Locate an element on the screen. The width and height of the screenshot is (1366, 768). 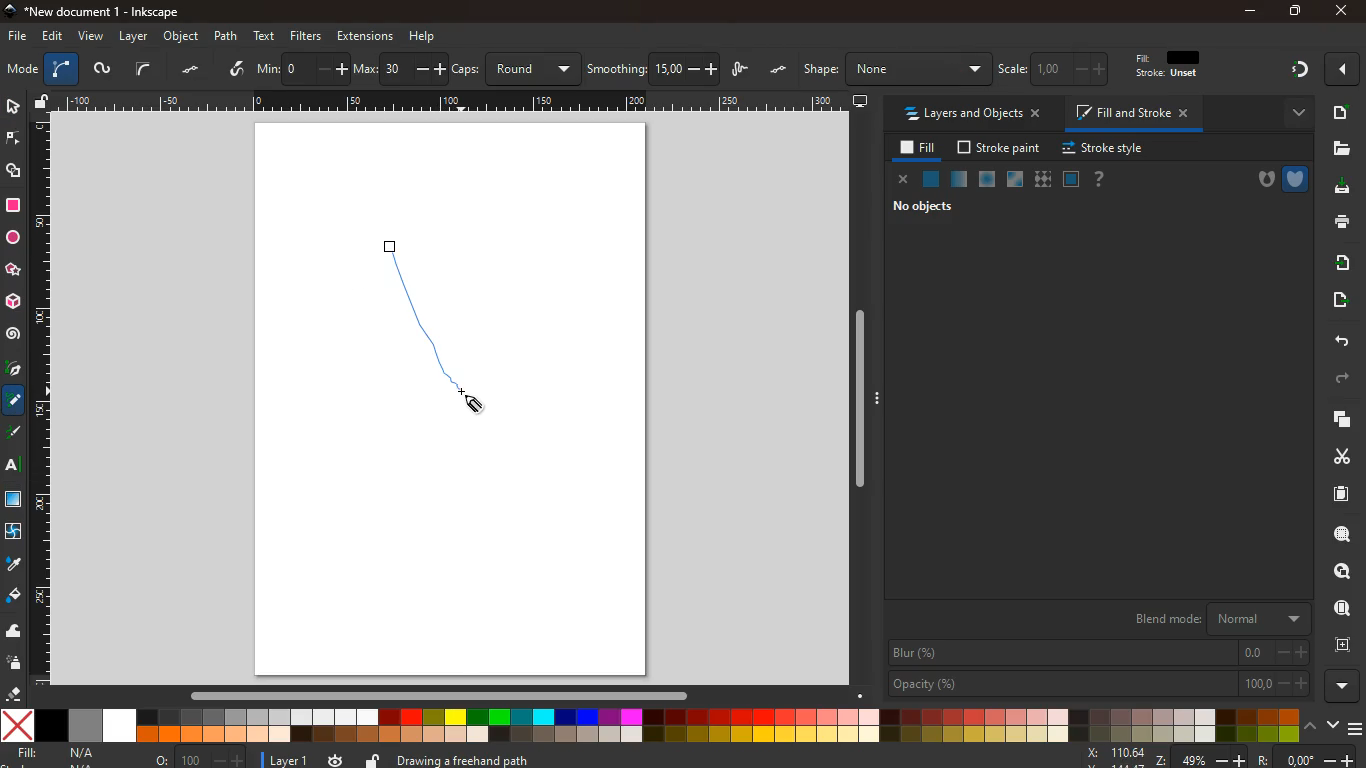
text is located at coordinates (14, 468).